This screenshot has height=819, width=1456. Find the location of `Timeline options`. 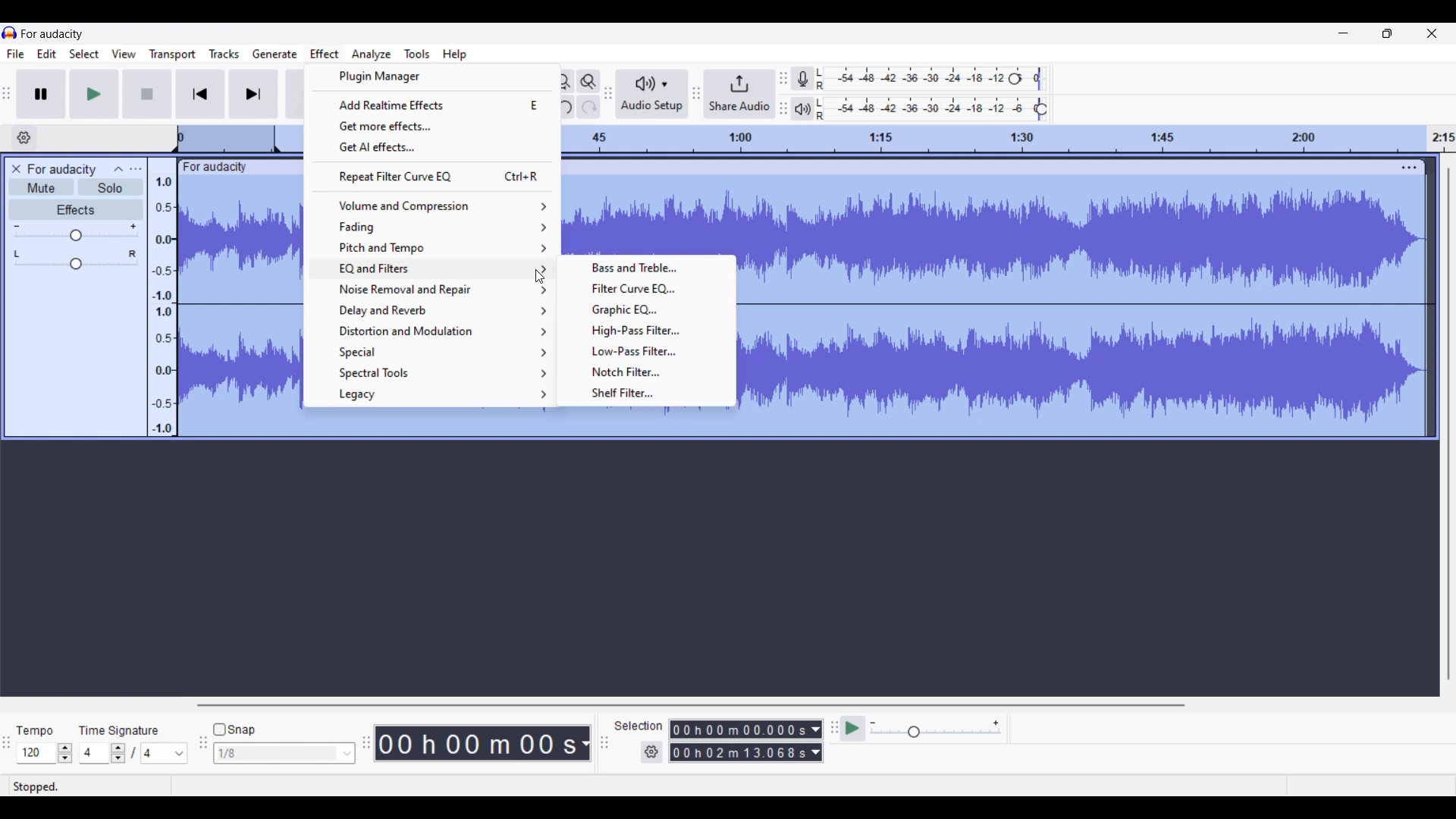

Timeline options is located at coordinates (25, 137).